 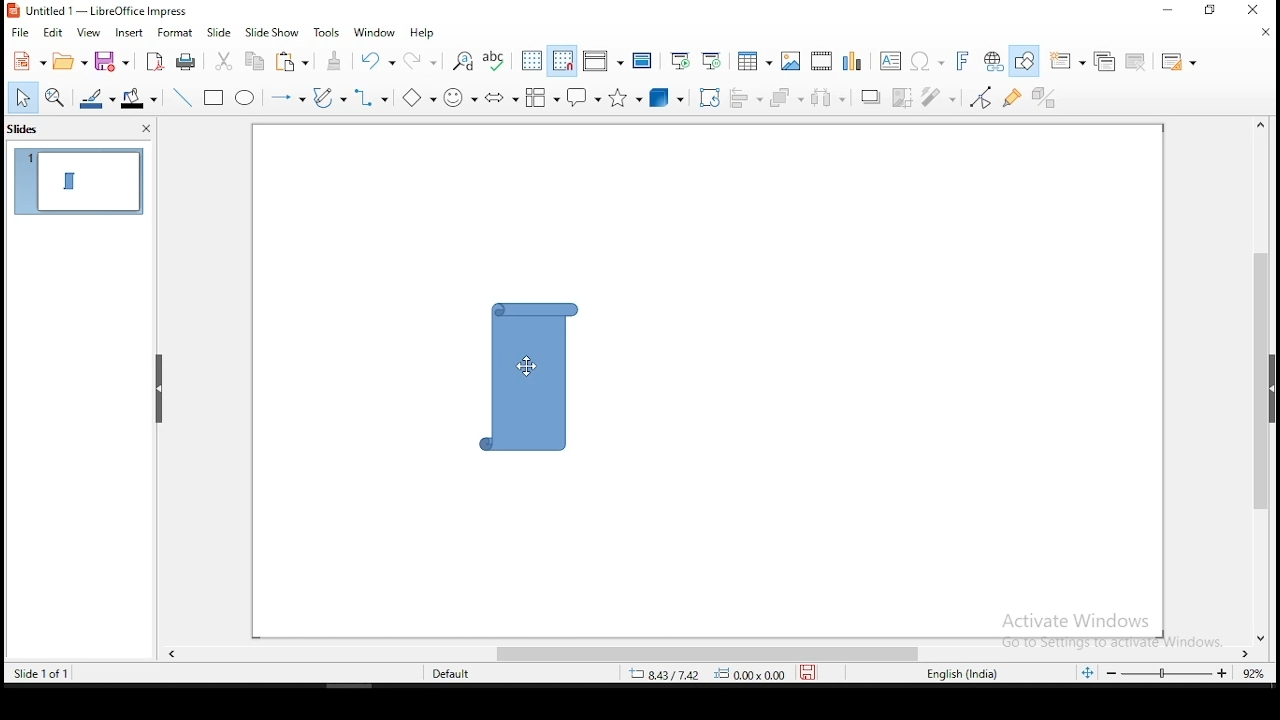 I want to click on tools, so click(x=328, y=34).